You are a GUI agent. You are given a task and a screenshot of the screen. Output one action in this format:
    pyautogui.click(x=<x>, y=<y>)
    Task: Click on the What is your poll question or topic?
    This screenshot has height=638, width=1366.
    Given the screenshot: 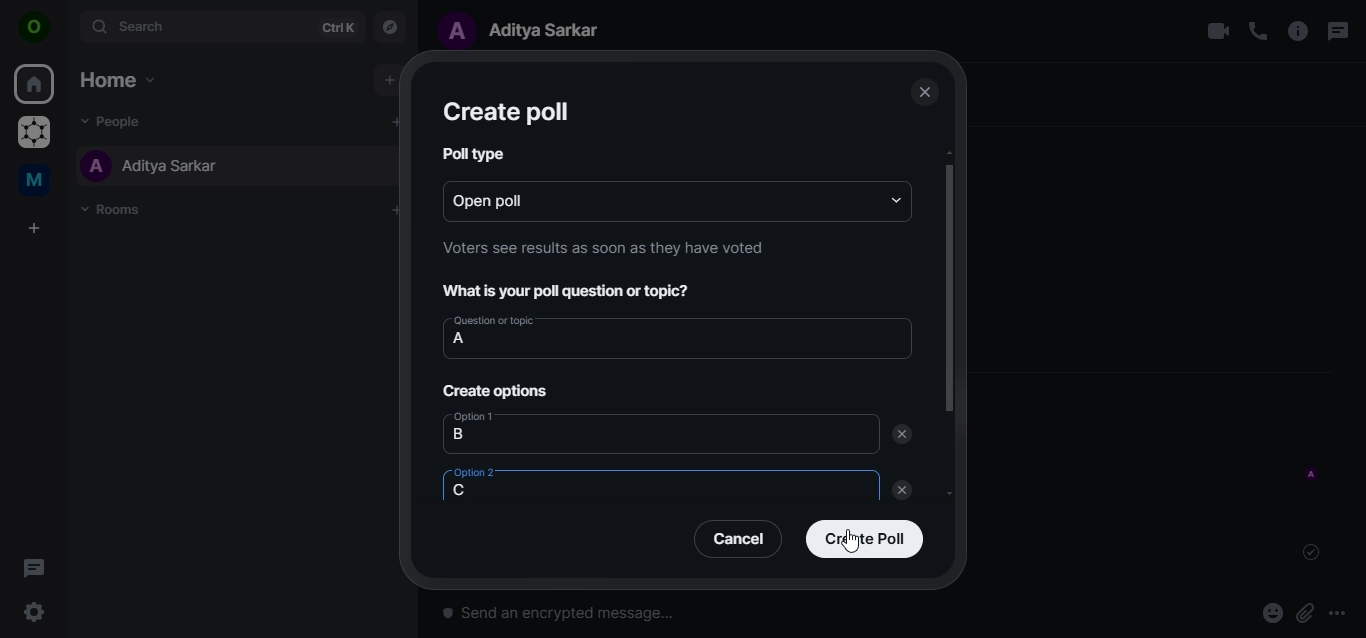 What is the action you would take?
    pyautogui.click(x=571, y=293)
    